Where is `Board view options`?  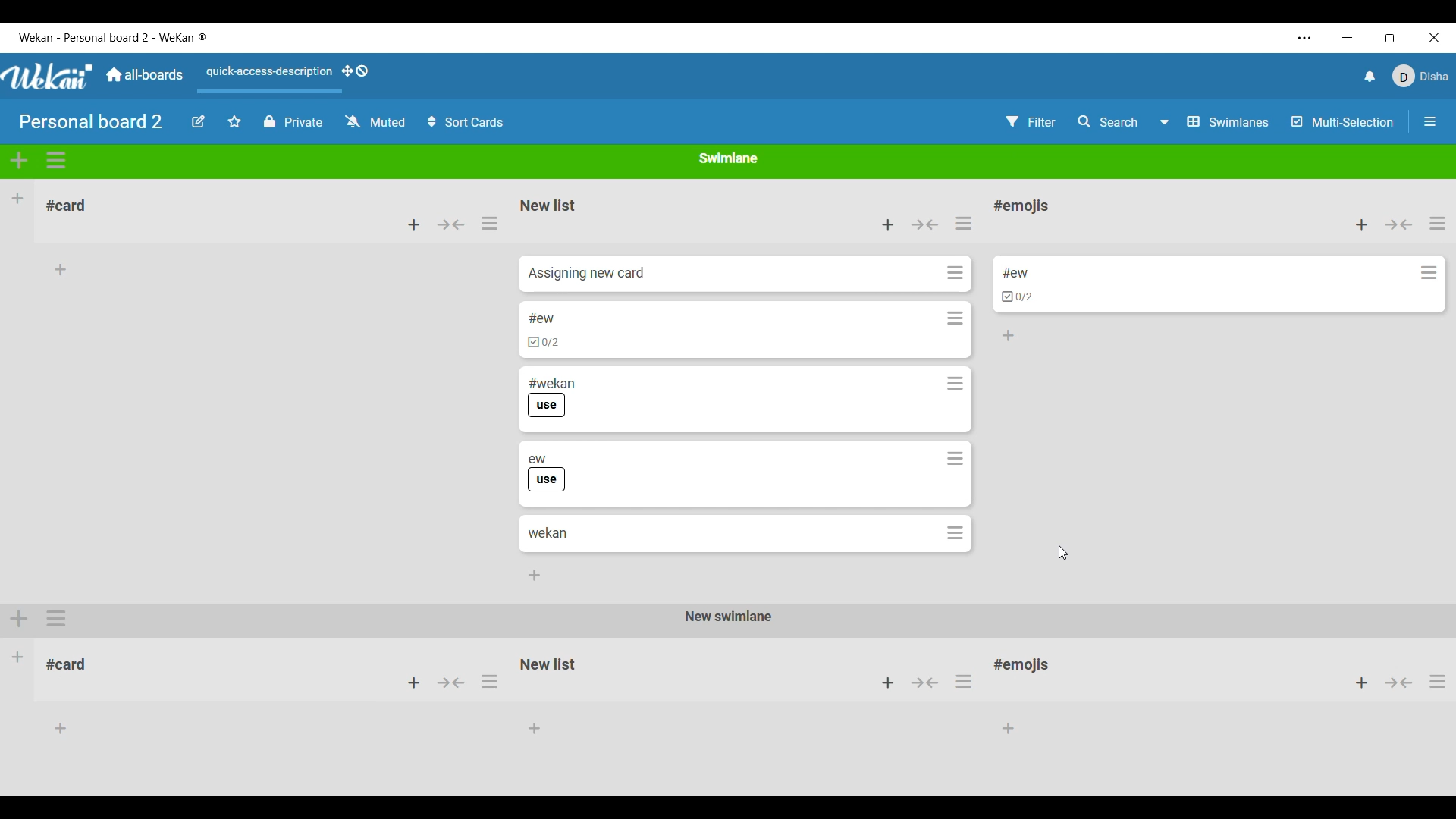 Board view options is located at coordinates (1216, 121).